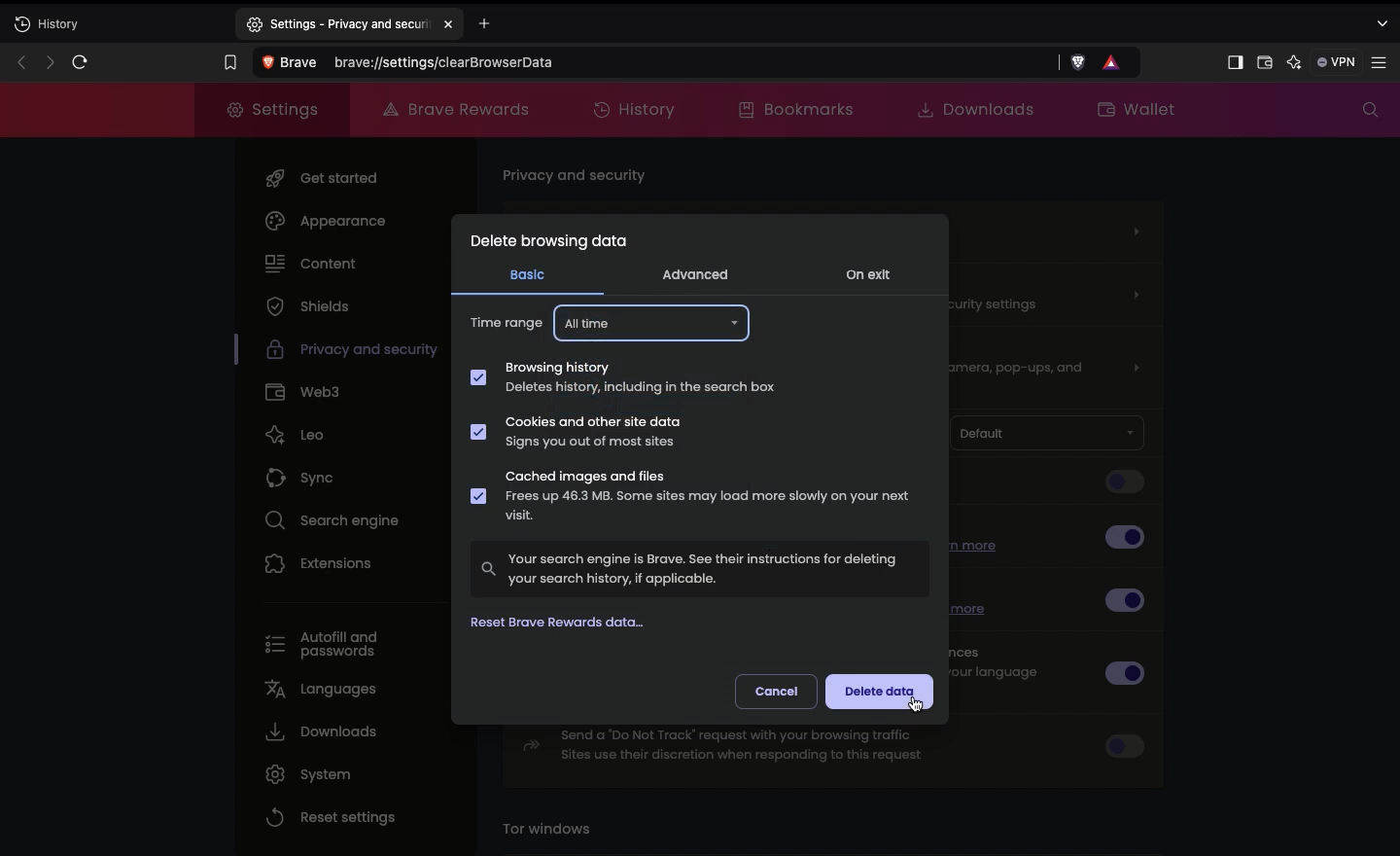 This screenshot has height=856, width=1400. I want to click on Search Brave, so click(652, 62).